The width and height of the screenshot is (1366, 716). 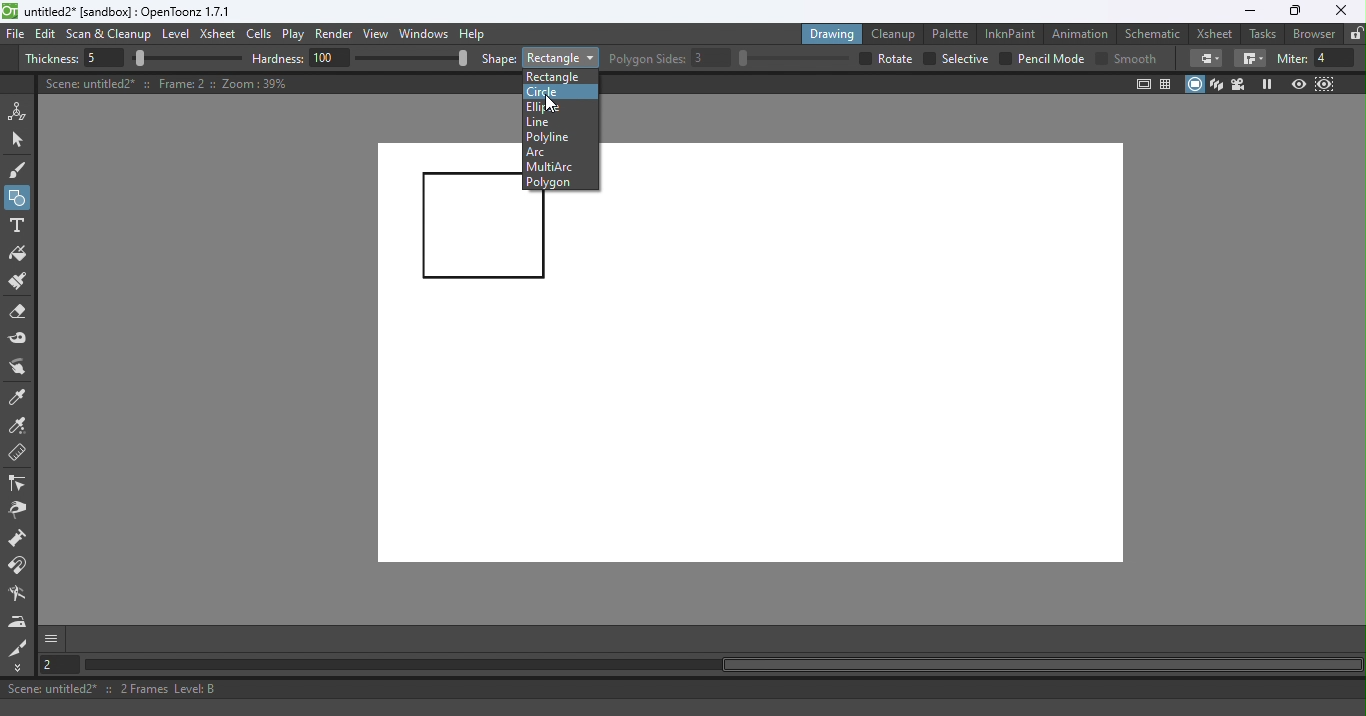 I want to click on Edit, so click(x=48, y=34).